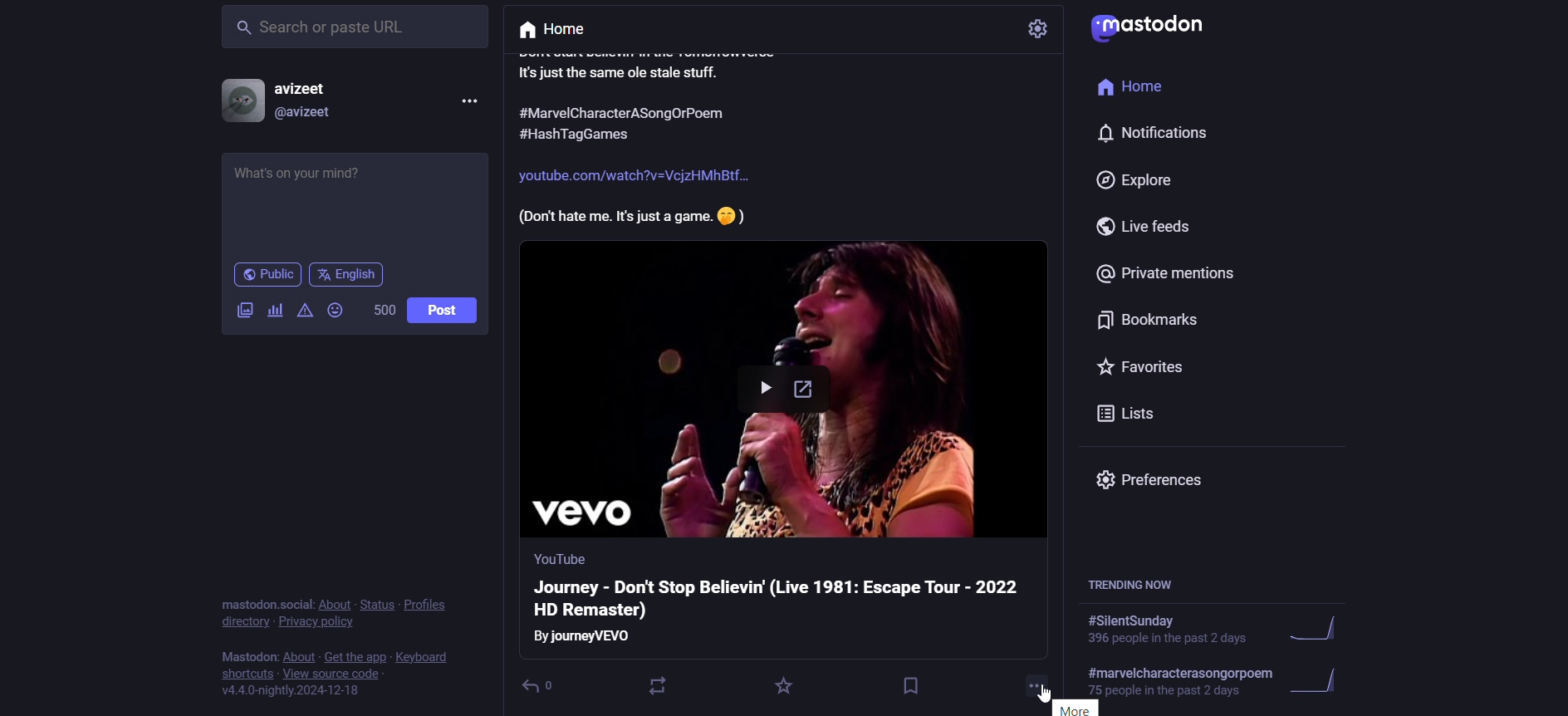 This screenshot has width=1568, height=716. Describe the element at coordinates (246, 674) in the screenshot. I see `shortcuts` at that location.